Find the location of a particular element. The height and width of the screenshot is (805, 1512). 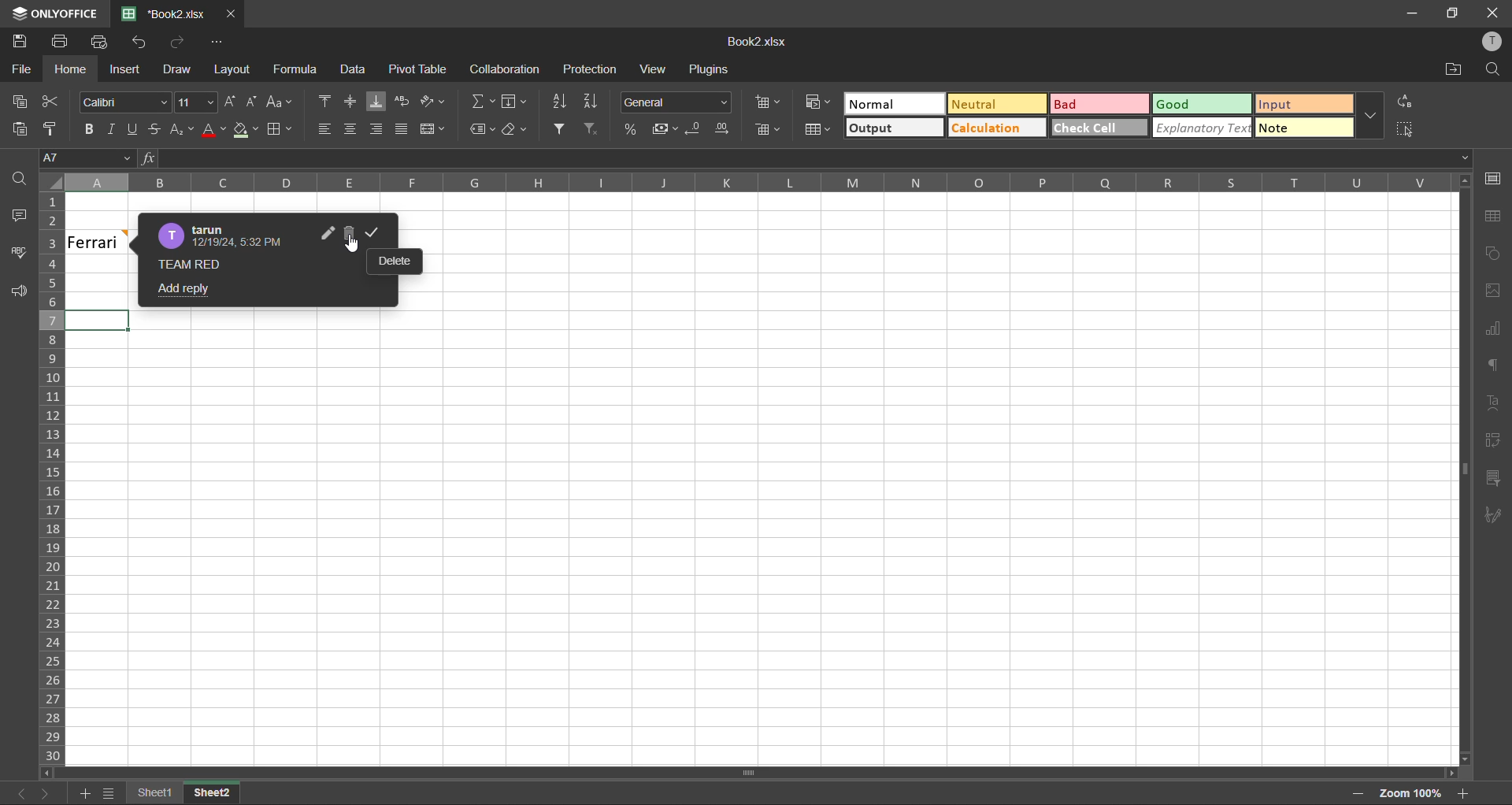

orientation is located at coordinates (434, 99).